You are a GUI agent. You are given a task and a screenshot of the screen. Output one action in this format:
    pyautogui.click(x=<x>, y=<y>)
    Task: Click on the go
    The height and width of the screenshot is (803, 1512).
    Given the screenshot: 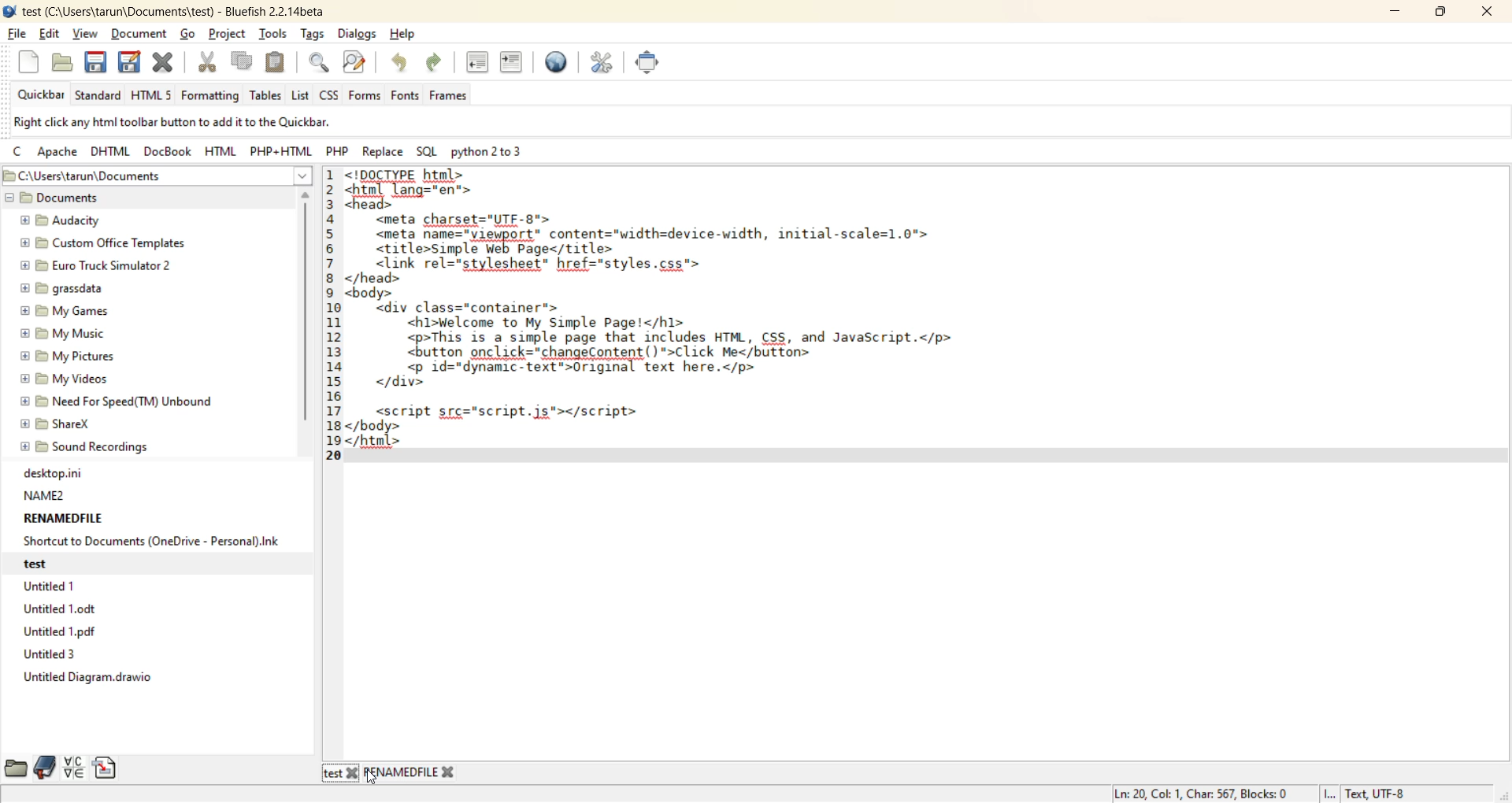 What is the action you would take?
    pyautogui.click(x=191, y=35)
    